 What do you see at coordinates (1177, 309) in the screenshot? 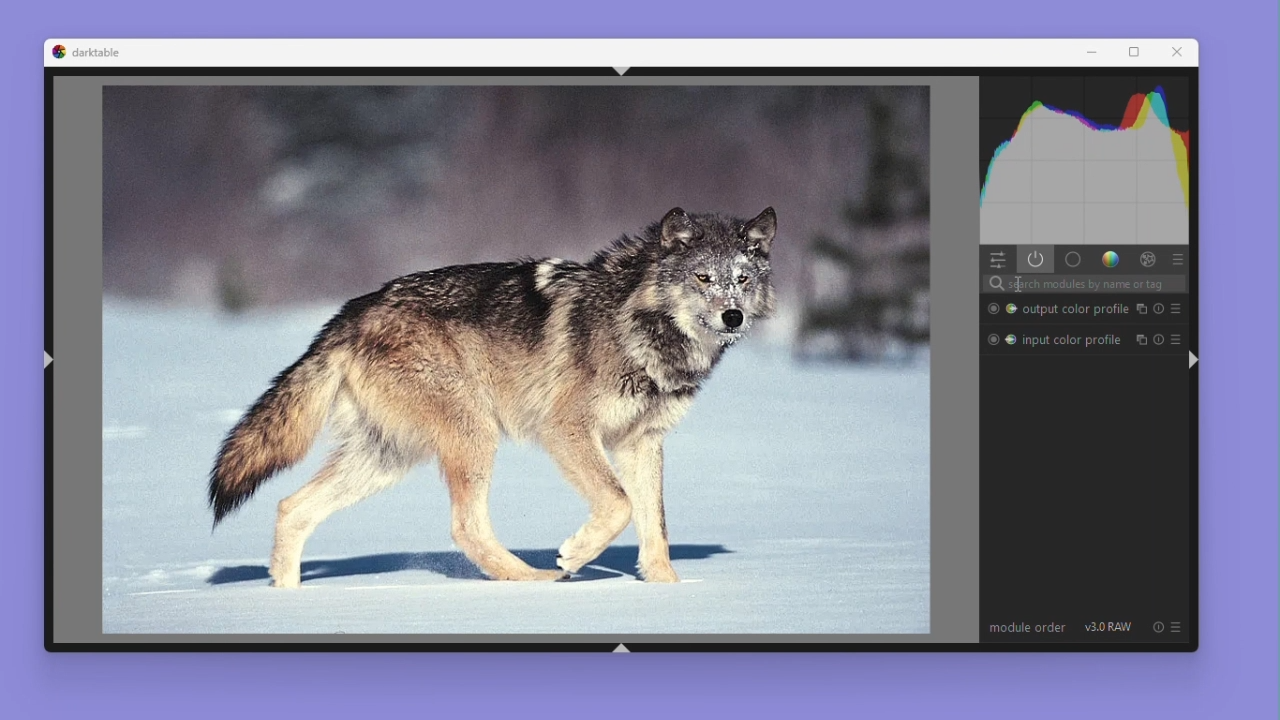
I see `preset` at bounding box center [1177, 309].